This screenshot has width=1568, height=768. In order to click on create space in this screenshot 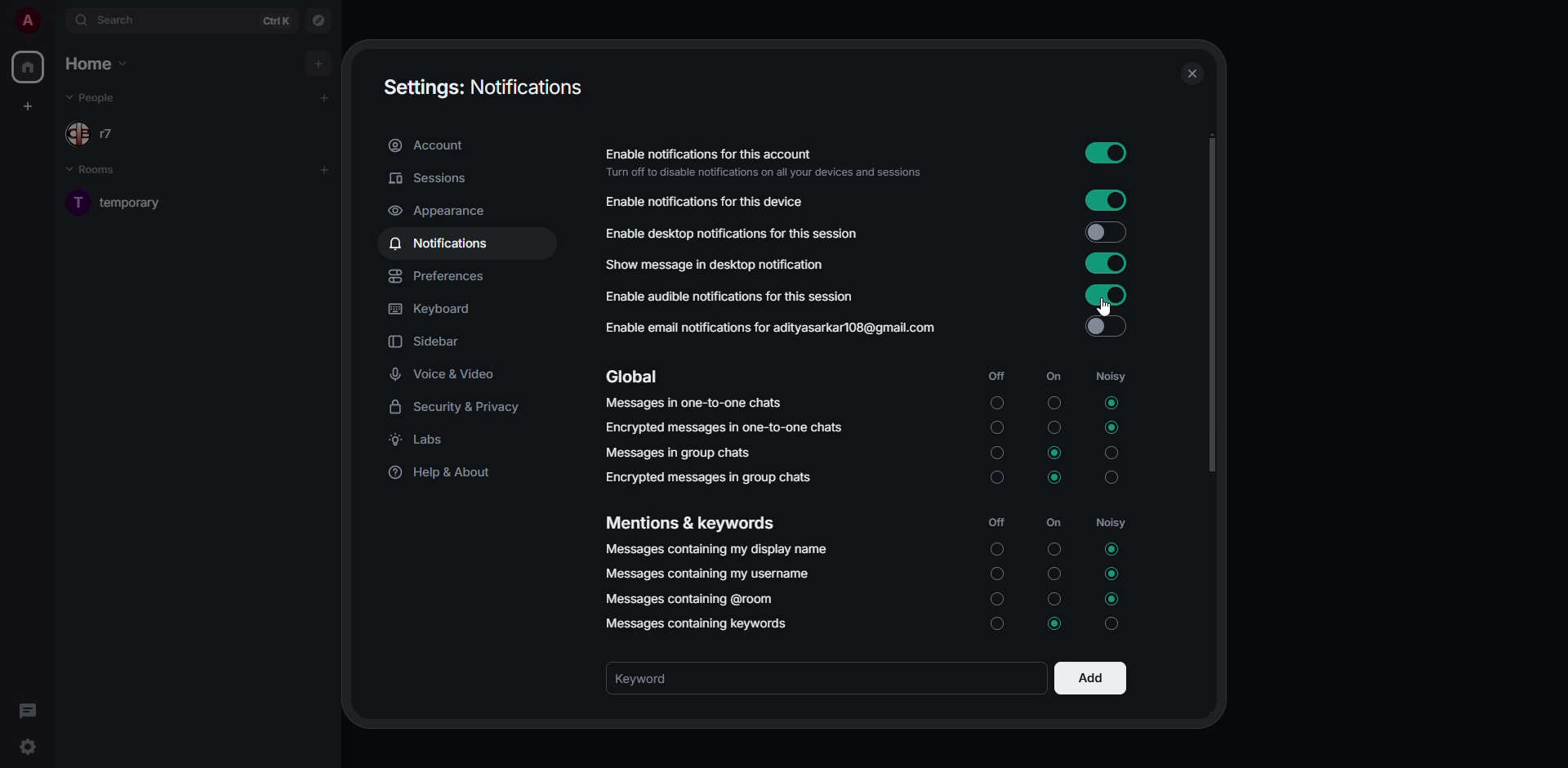, I will do `click(28, 105)`.